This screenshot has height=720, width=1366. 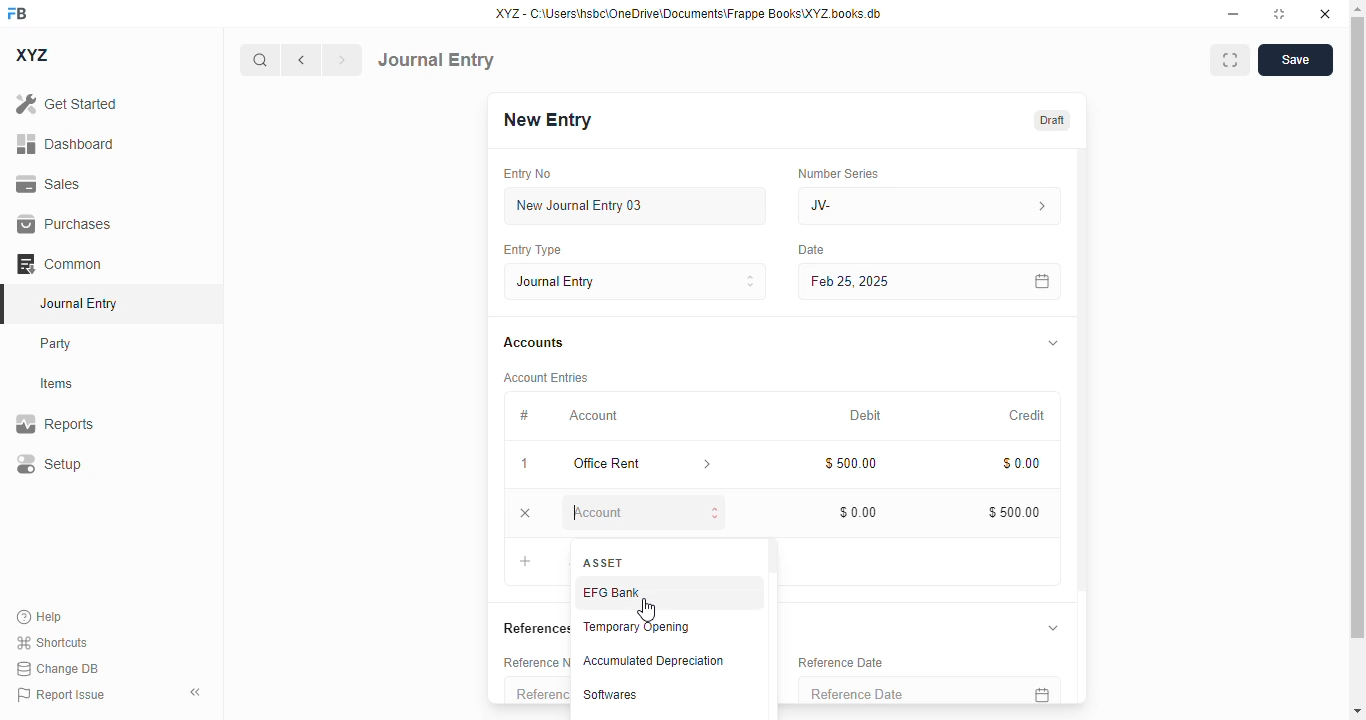 I want to click on ASSET, so click(x=605, y=563).